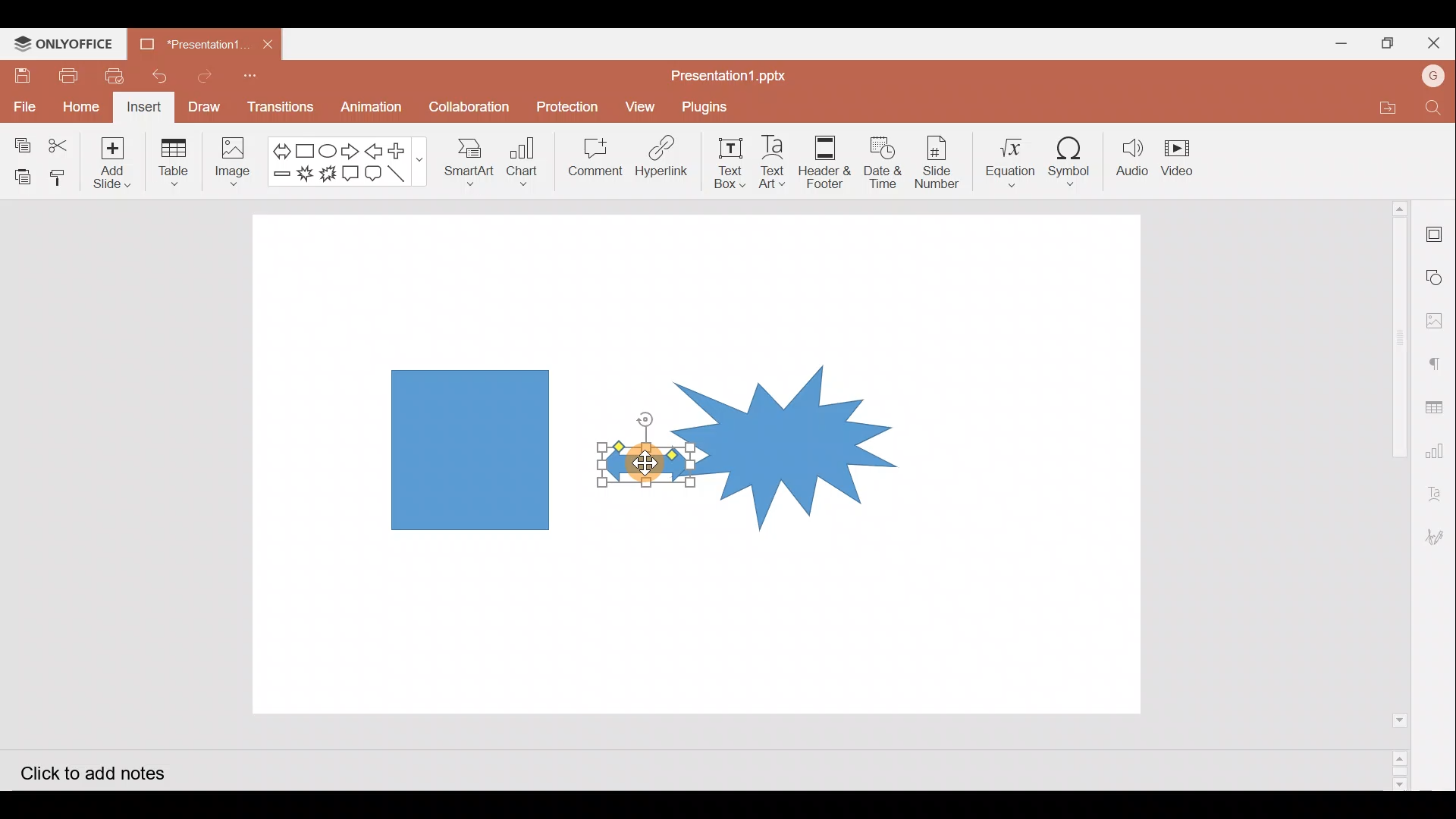  I want to click on Text Art, so click(775, 162).